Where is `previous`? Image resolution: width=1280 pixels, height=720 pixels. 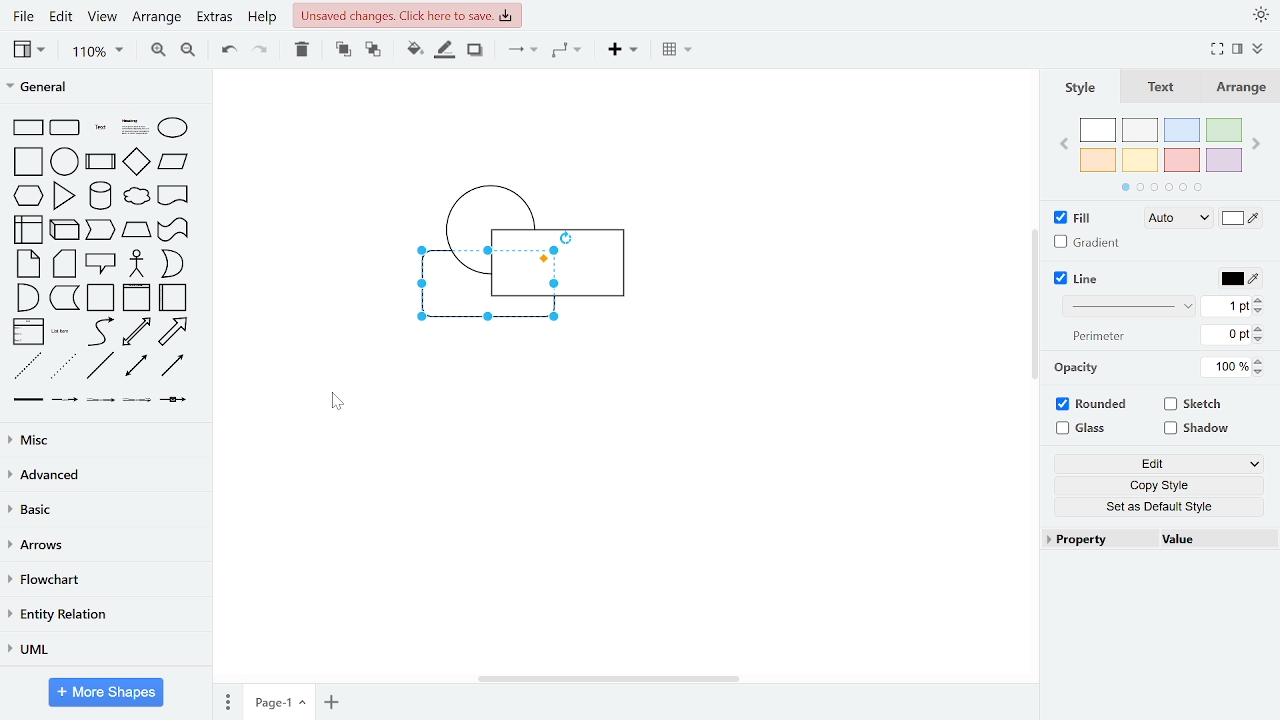
previous is located at coordinates (1064, 146).